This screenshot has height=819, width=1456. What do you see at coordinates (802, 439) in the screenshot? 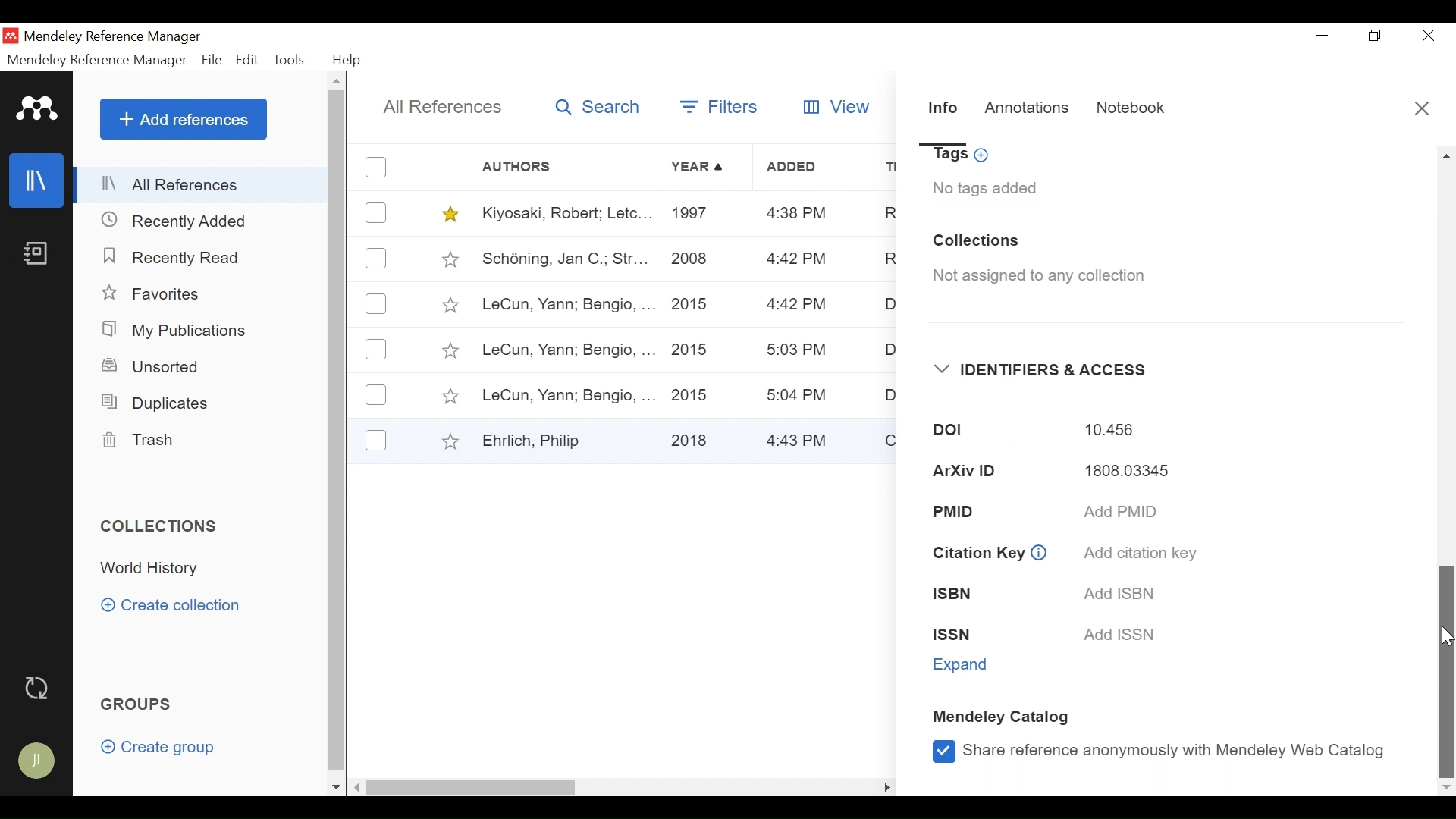
I see `4:43 PM` at bounding box center [802, 439].